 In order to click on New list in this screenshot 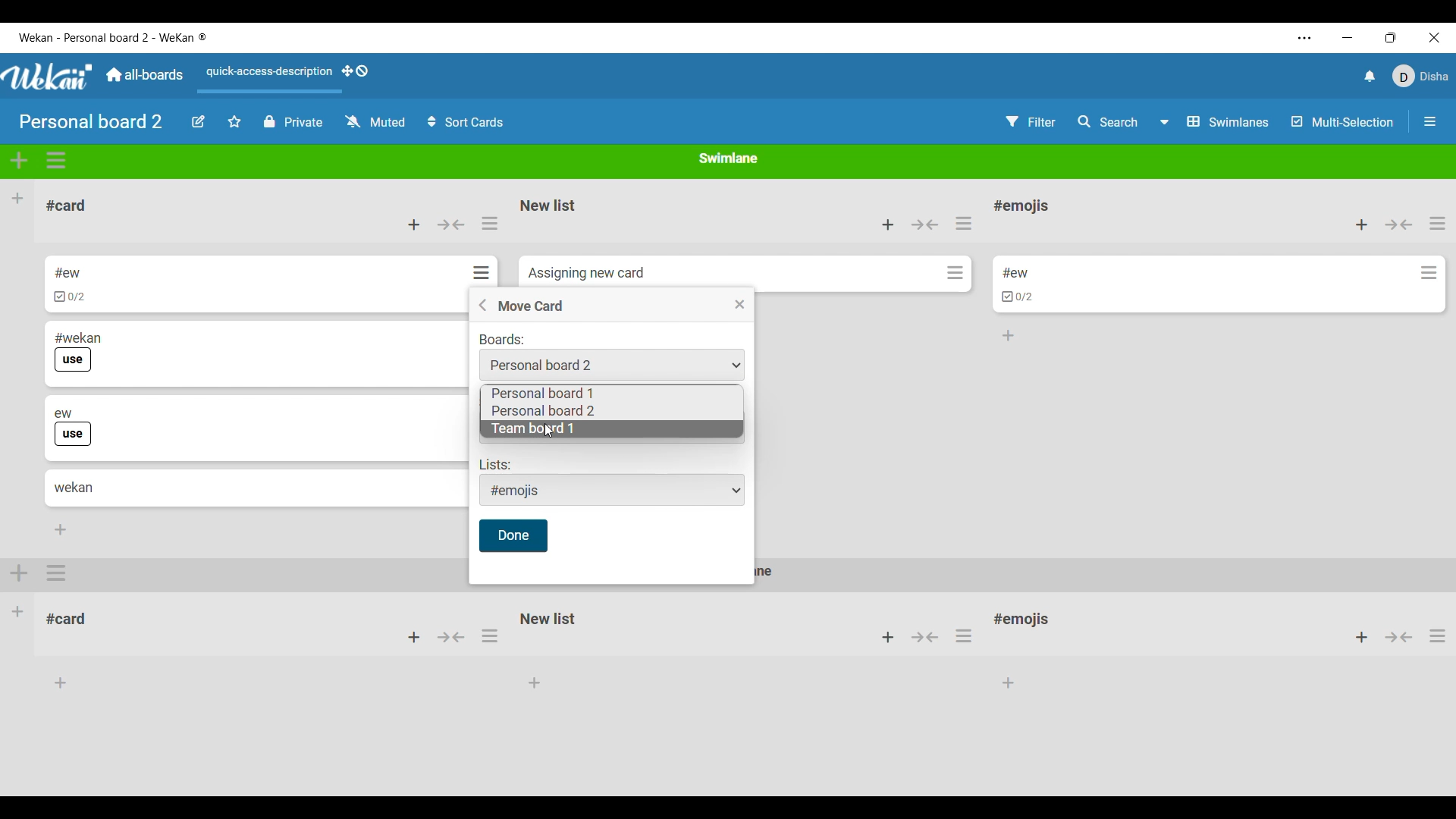, I will do `click(548, 618)`.